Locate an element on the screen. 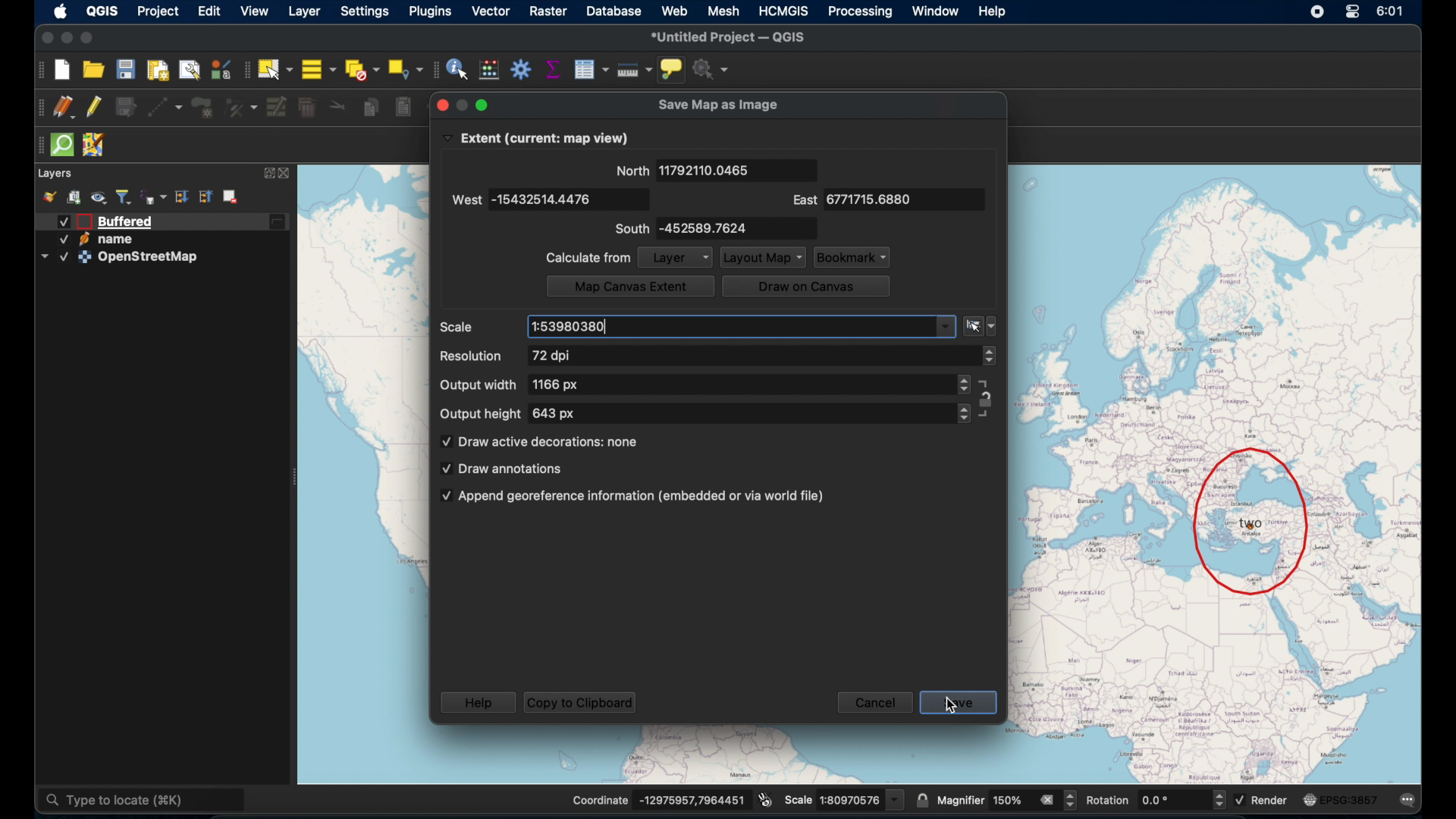  remove all is located at coordinates (1046, 799).